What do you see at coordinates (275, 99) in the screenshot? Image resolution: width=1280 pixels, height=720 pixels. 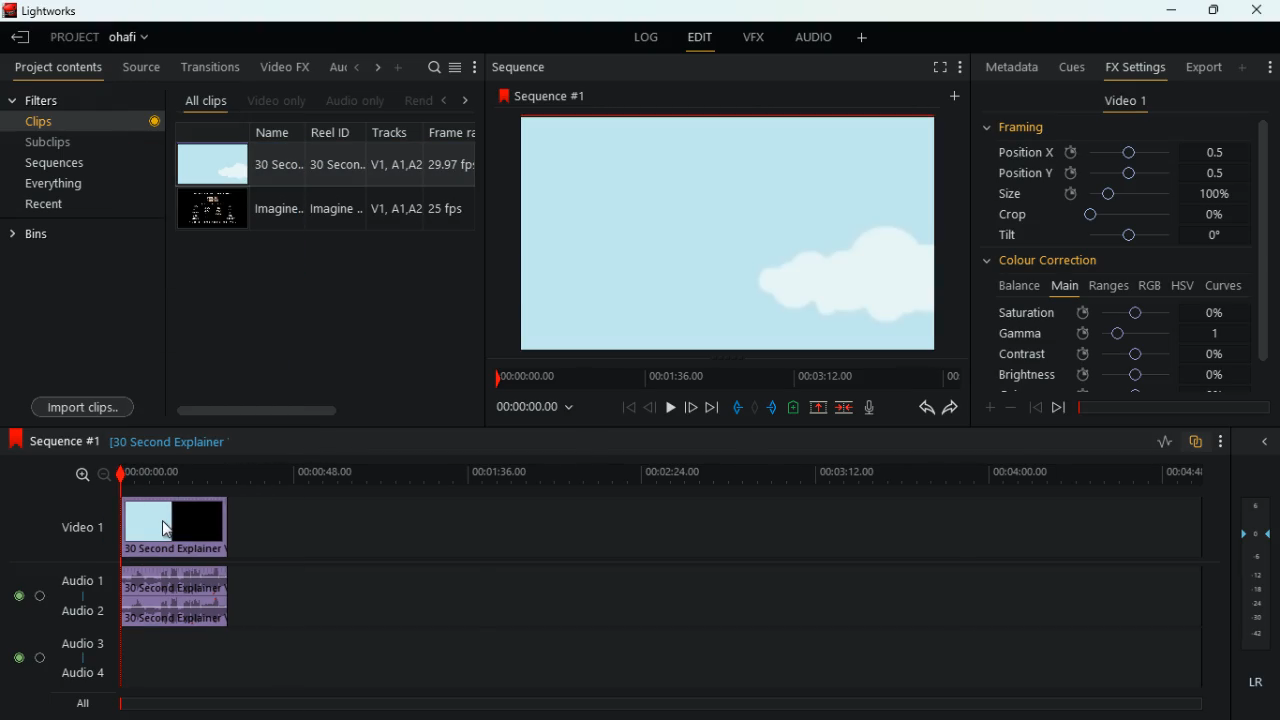 I see `video only` at bounding box center [275, 99].